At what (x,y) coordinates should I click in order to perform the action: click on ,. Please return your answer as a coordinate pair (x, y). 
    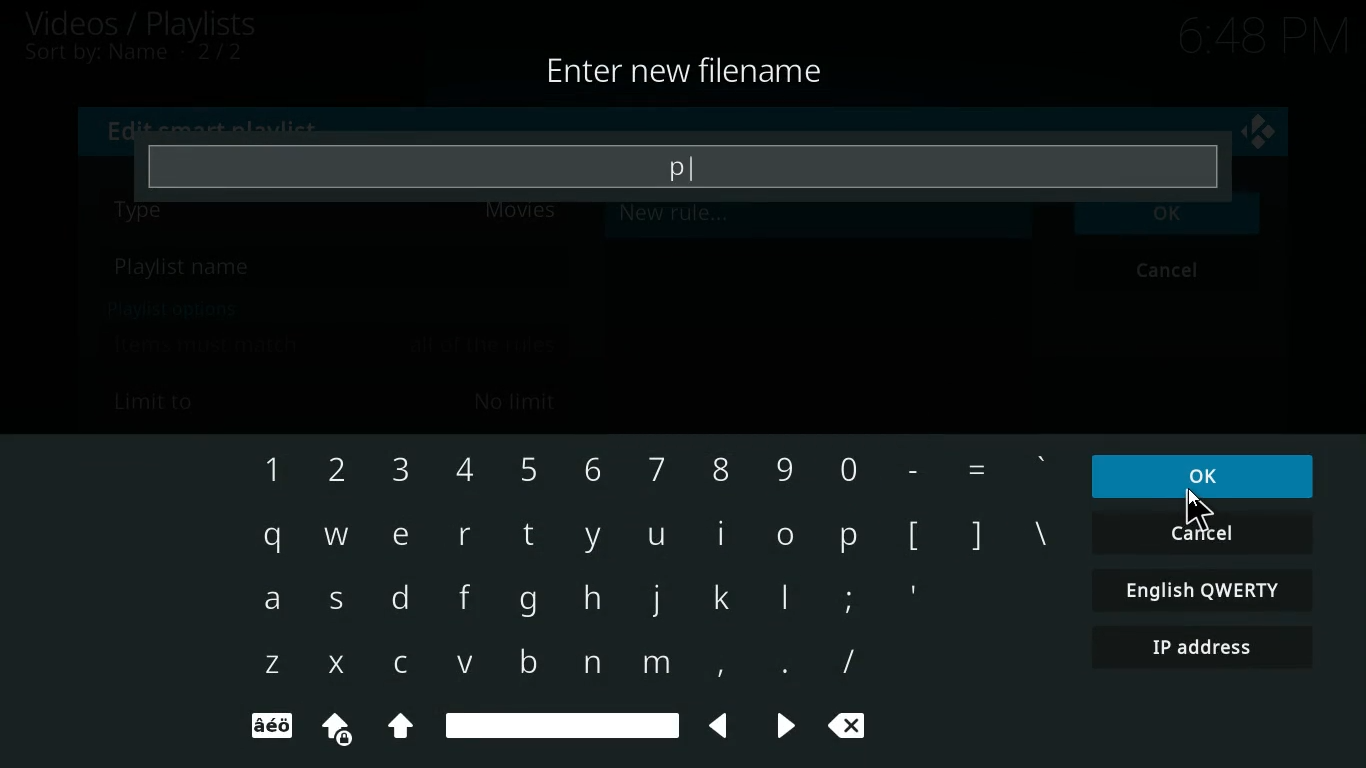
    Looking at the image, I should click on (713, 665).